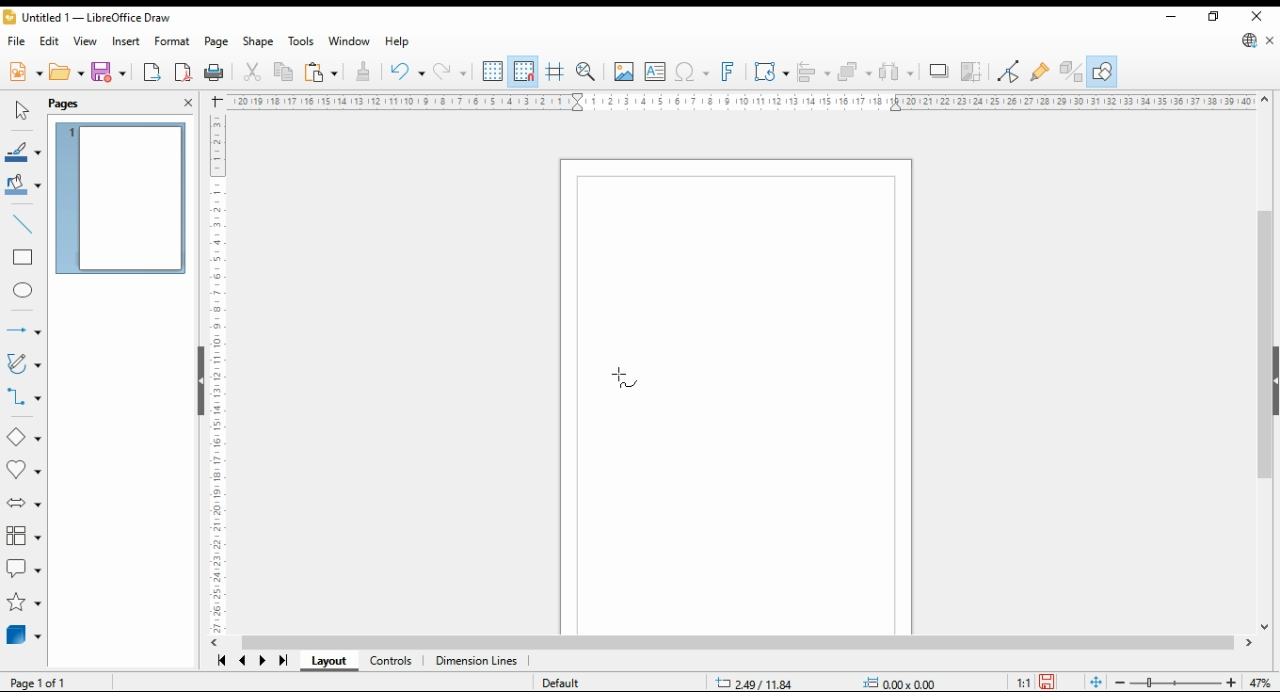 The width and height of the screenshot is (1280, 692). Describe the element at coordinates (899, 682) in the screenshot. I see `.00x 0.00` at that location.